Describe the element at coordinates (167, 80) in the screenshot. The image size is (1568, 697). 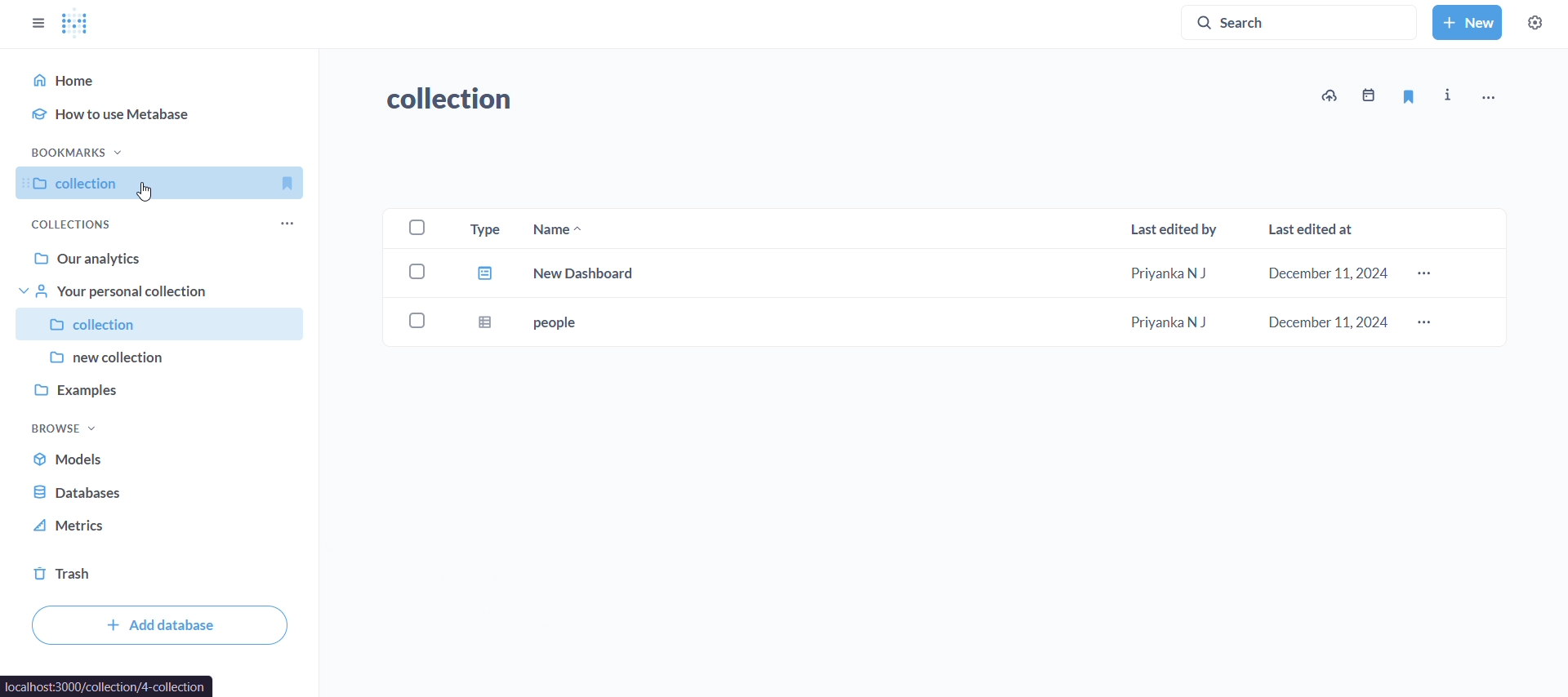
I see `home` at that location.